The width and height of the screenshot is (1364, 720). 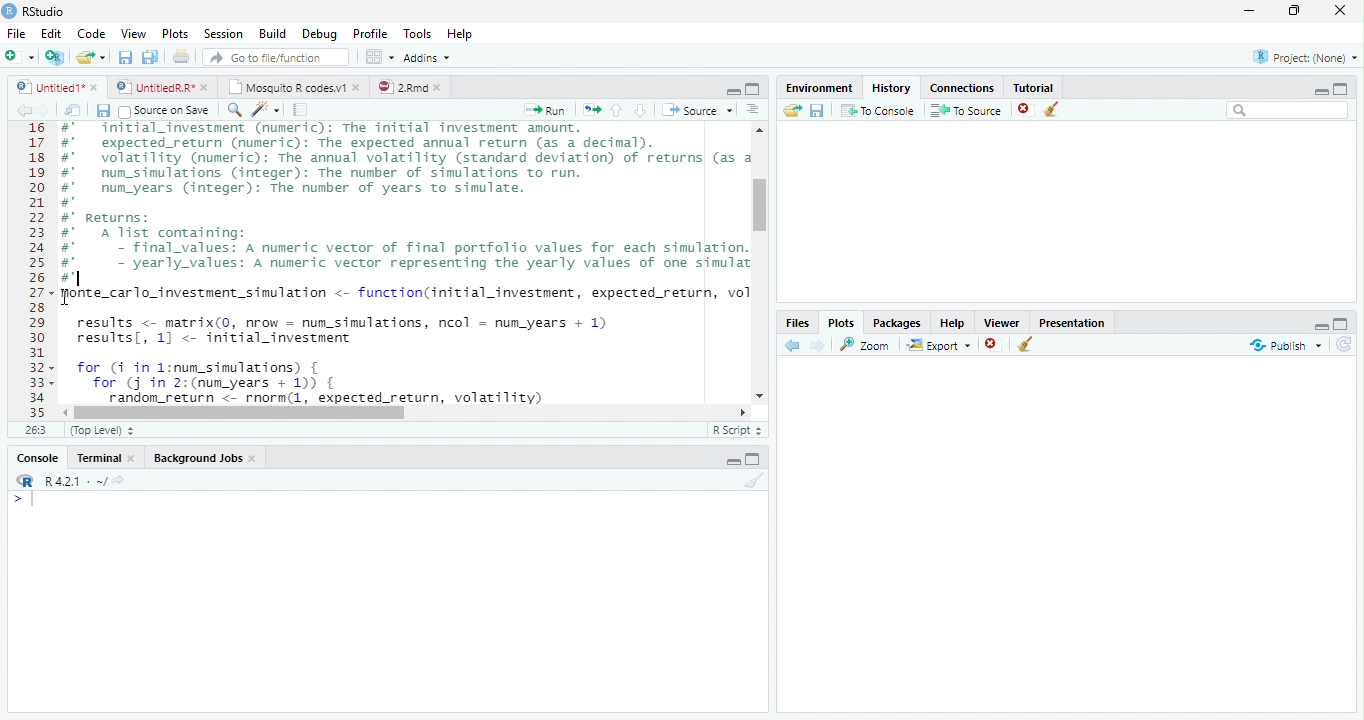 What do you see at coordinates (387, 601) in the screenshot?
I see `Console` at bounding box center [387, 601].